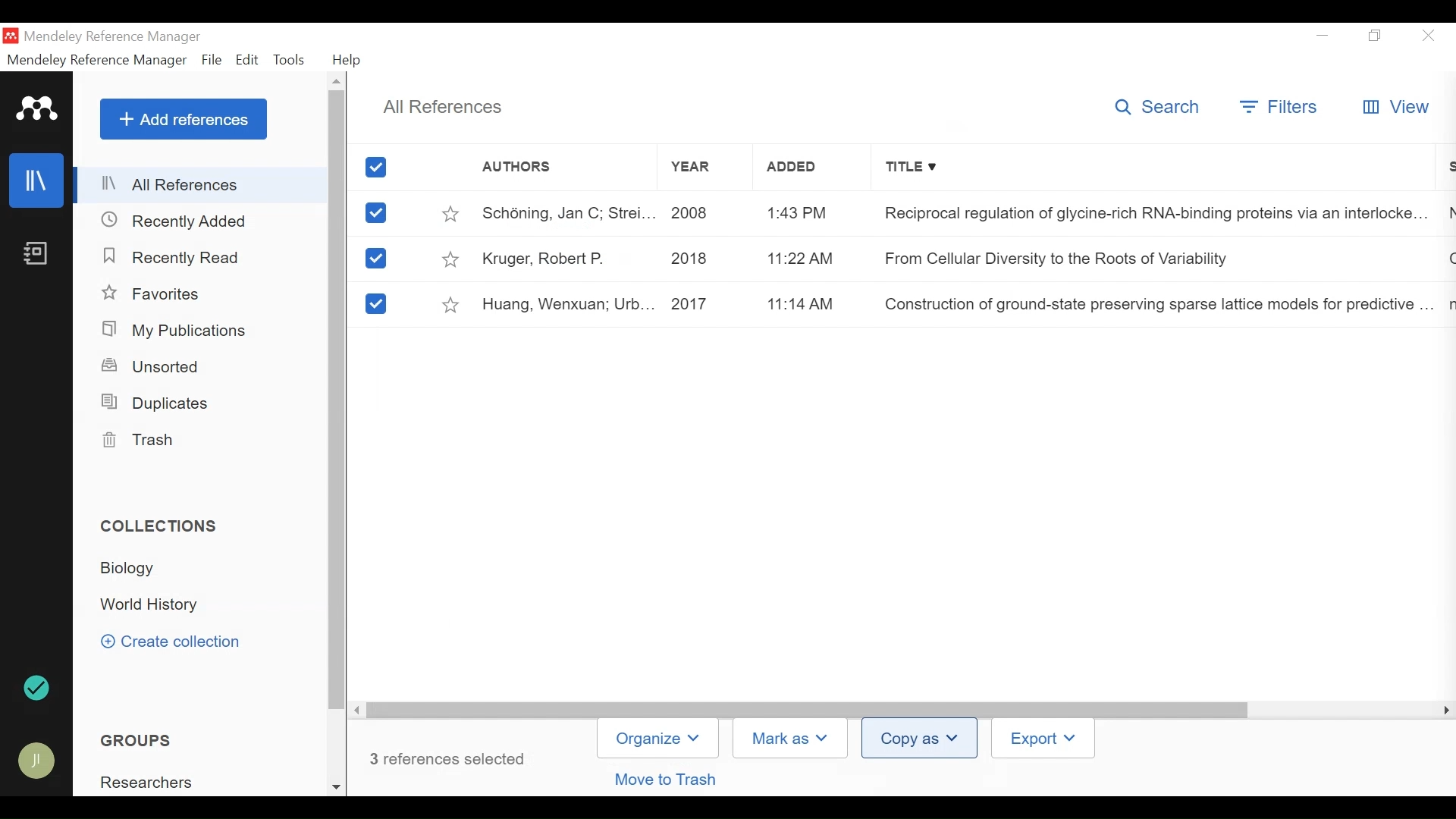  I want to click on All References, so click(202, 187).